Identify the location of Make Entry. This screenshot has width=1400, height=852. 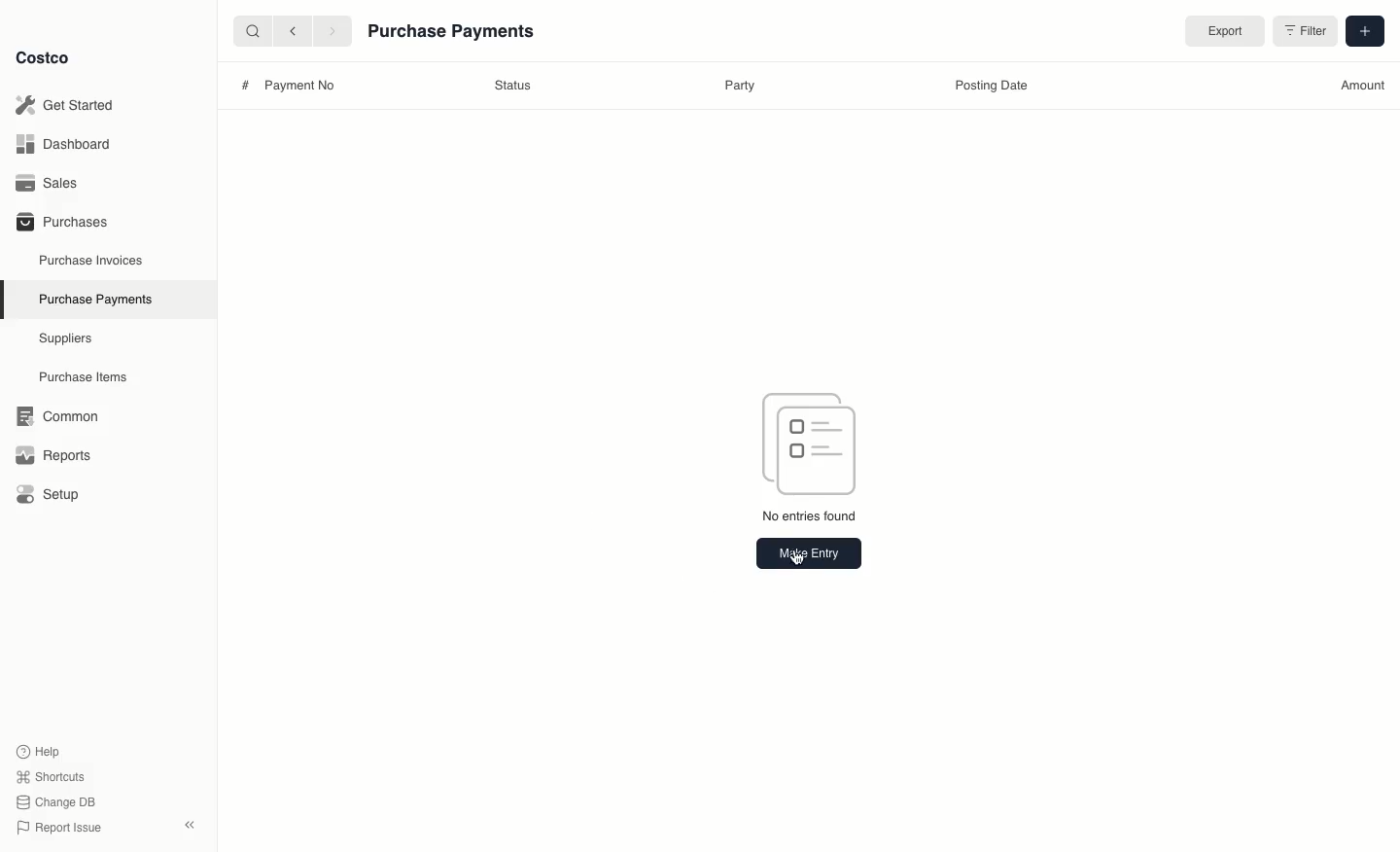
(808, 552).